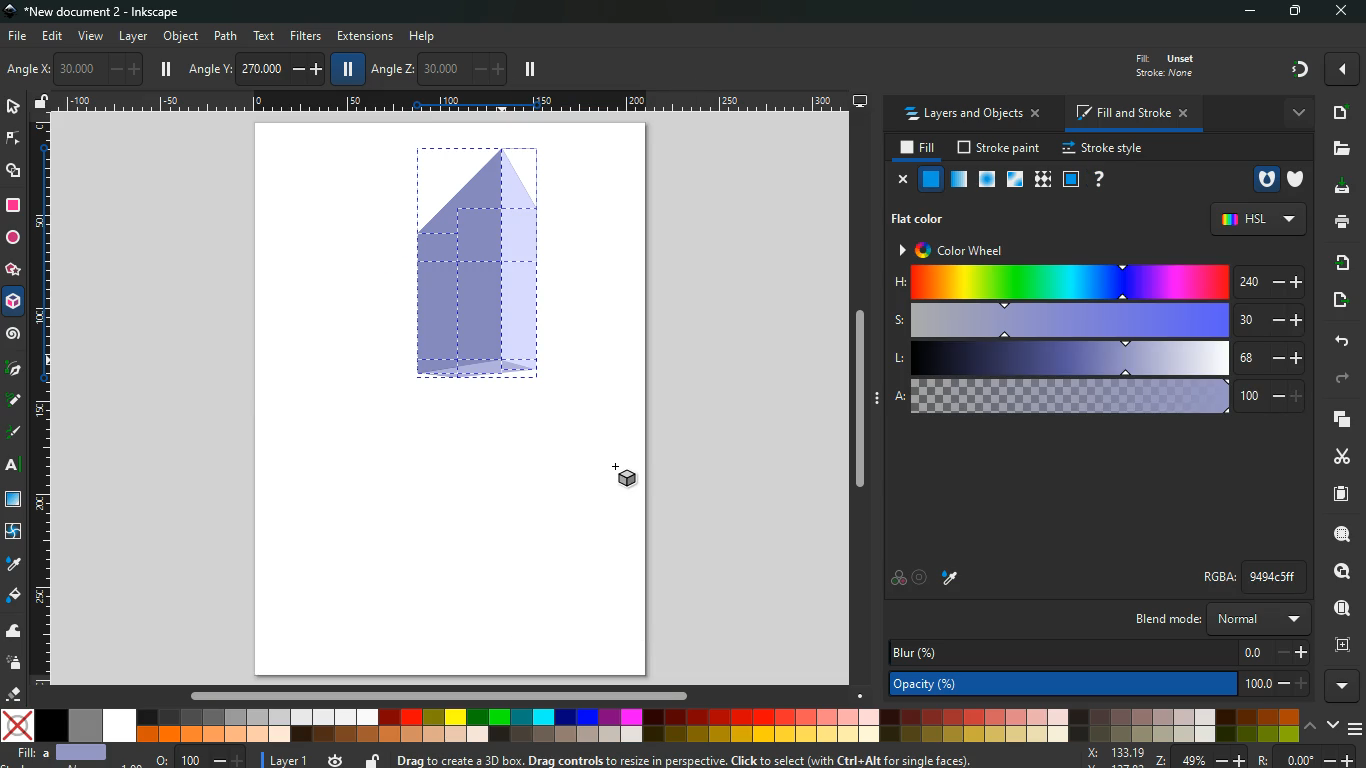  Describe the element at coordinates (1337, 262) in the screenshot. I see `receive` at that location.